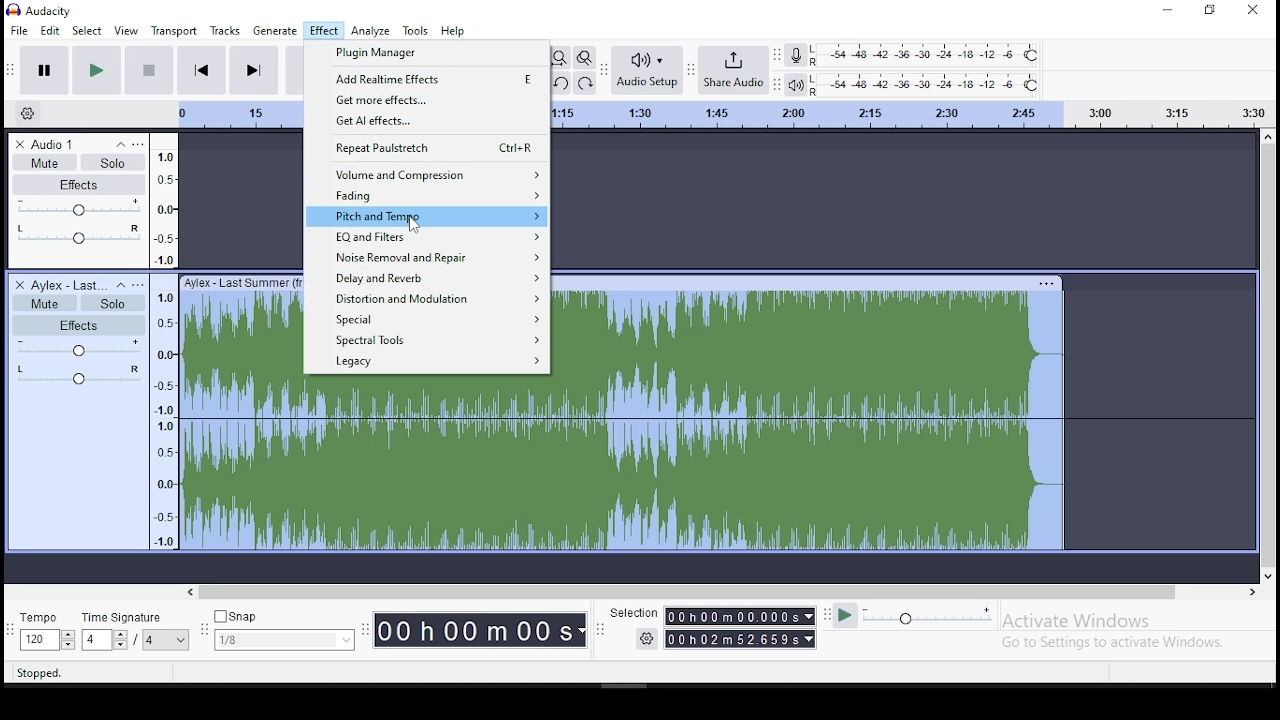  Describe the element at coordinates (1268, 357) in the screenshot. I see `scroll bar` at that location.